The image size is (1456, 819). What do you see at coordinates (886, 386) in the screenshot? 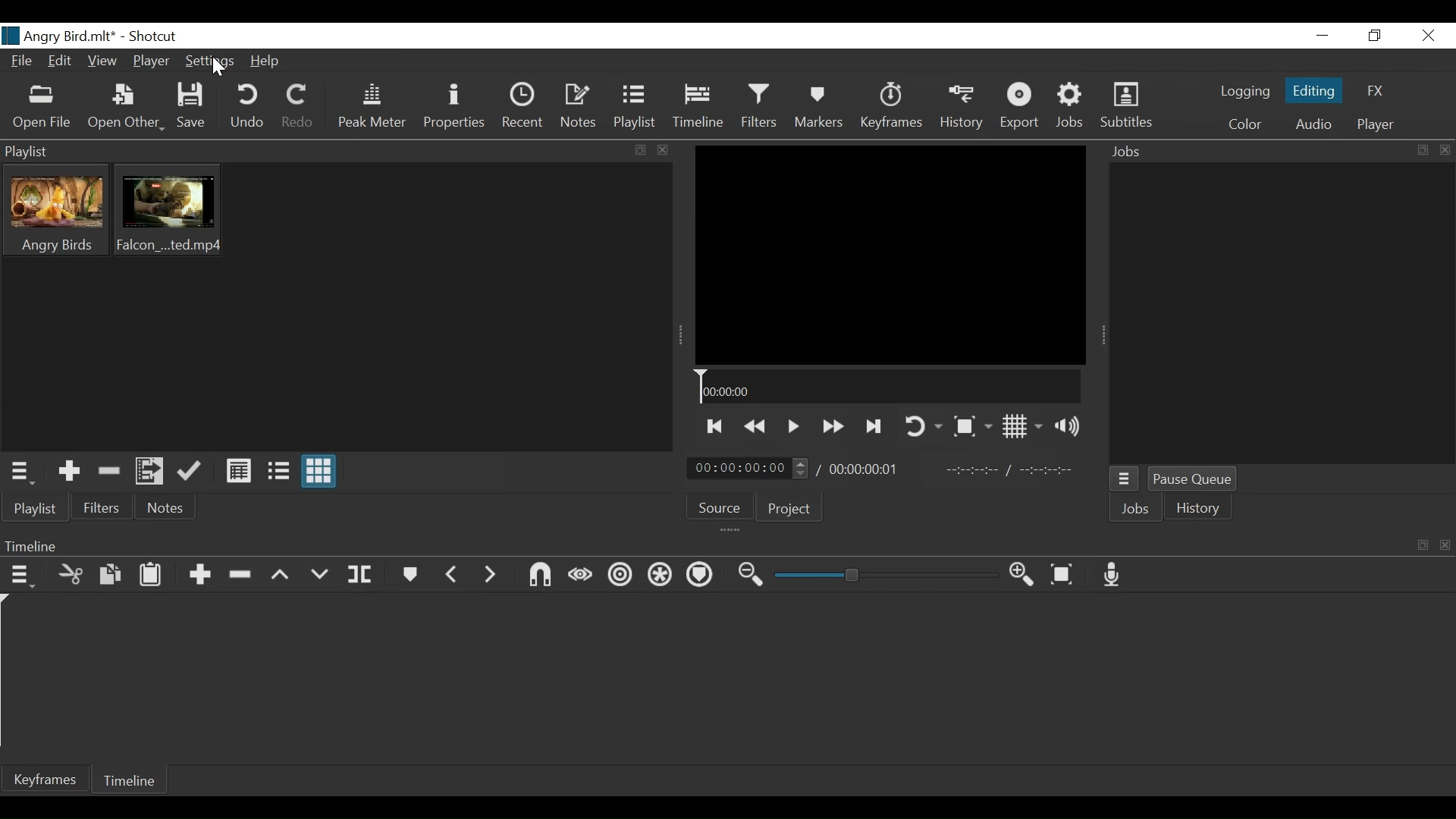
I see `Timeline` at bounding box center [886, 386].